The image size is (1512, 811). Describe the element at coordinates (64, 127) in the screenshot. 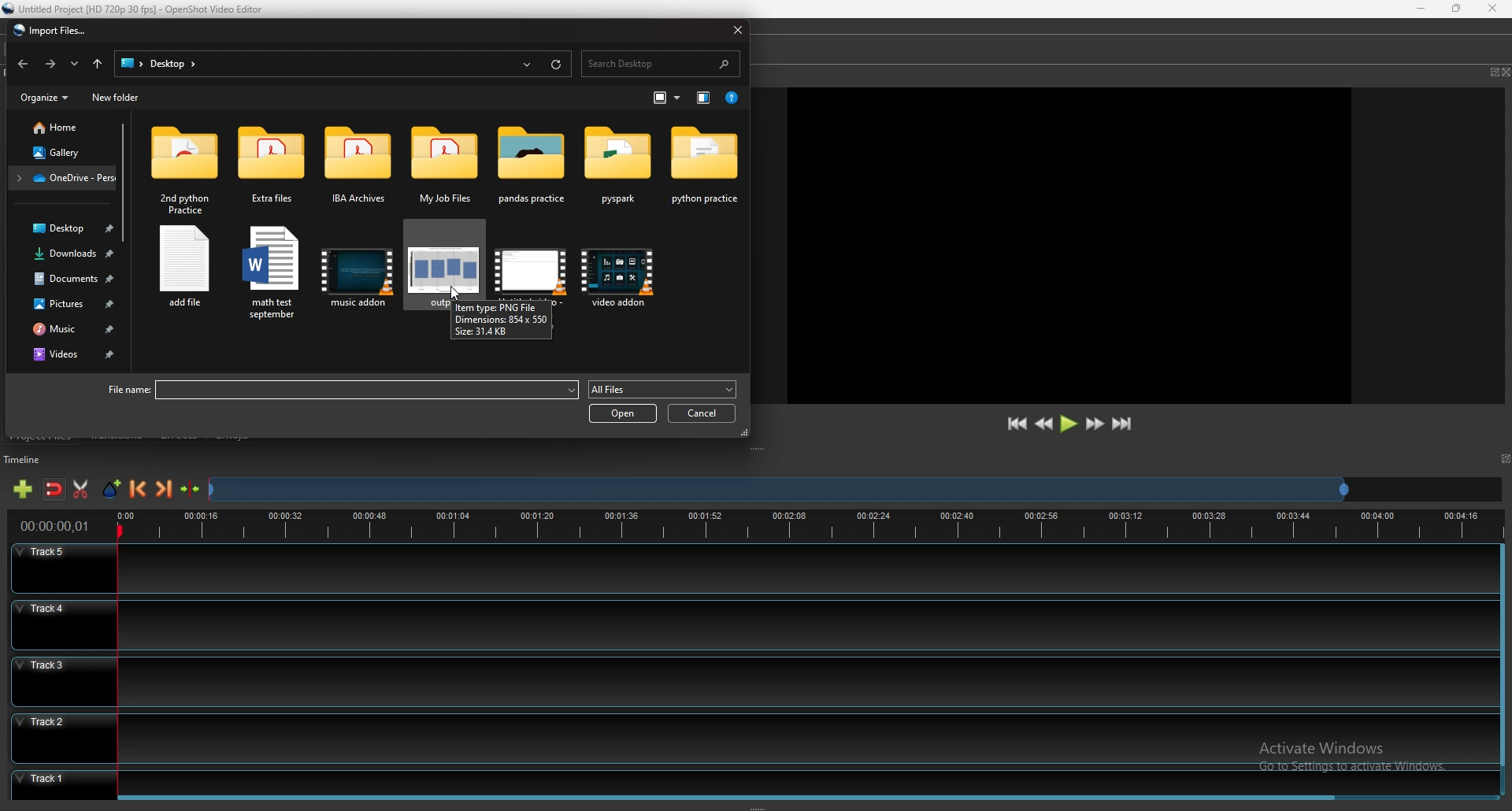

I see `home` at that location.